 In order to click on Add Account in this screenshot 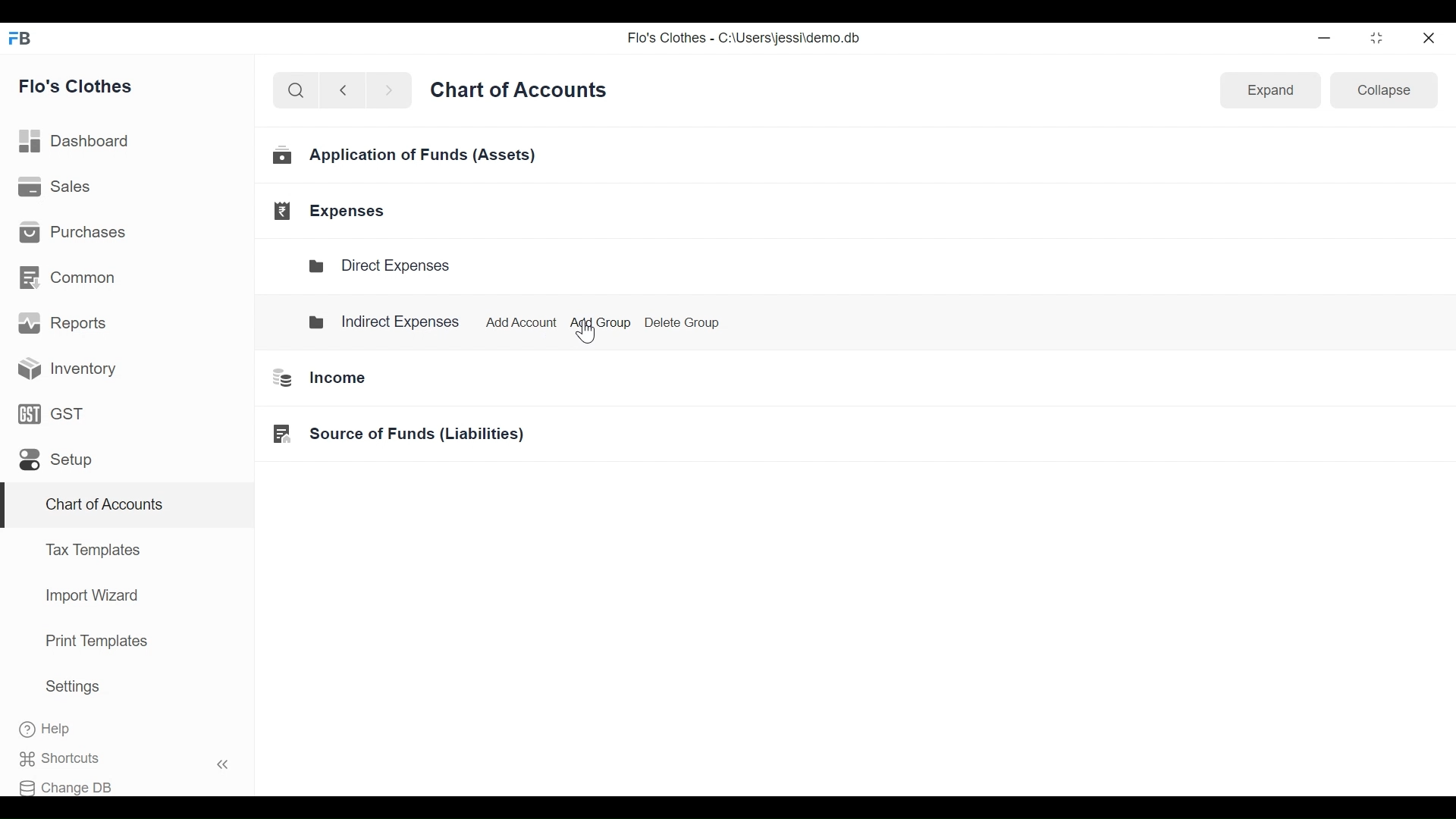, I will do `click(517, 319)`.